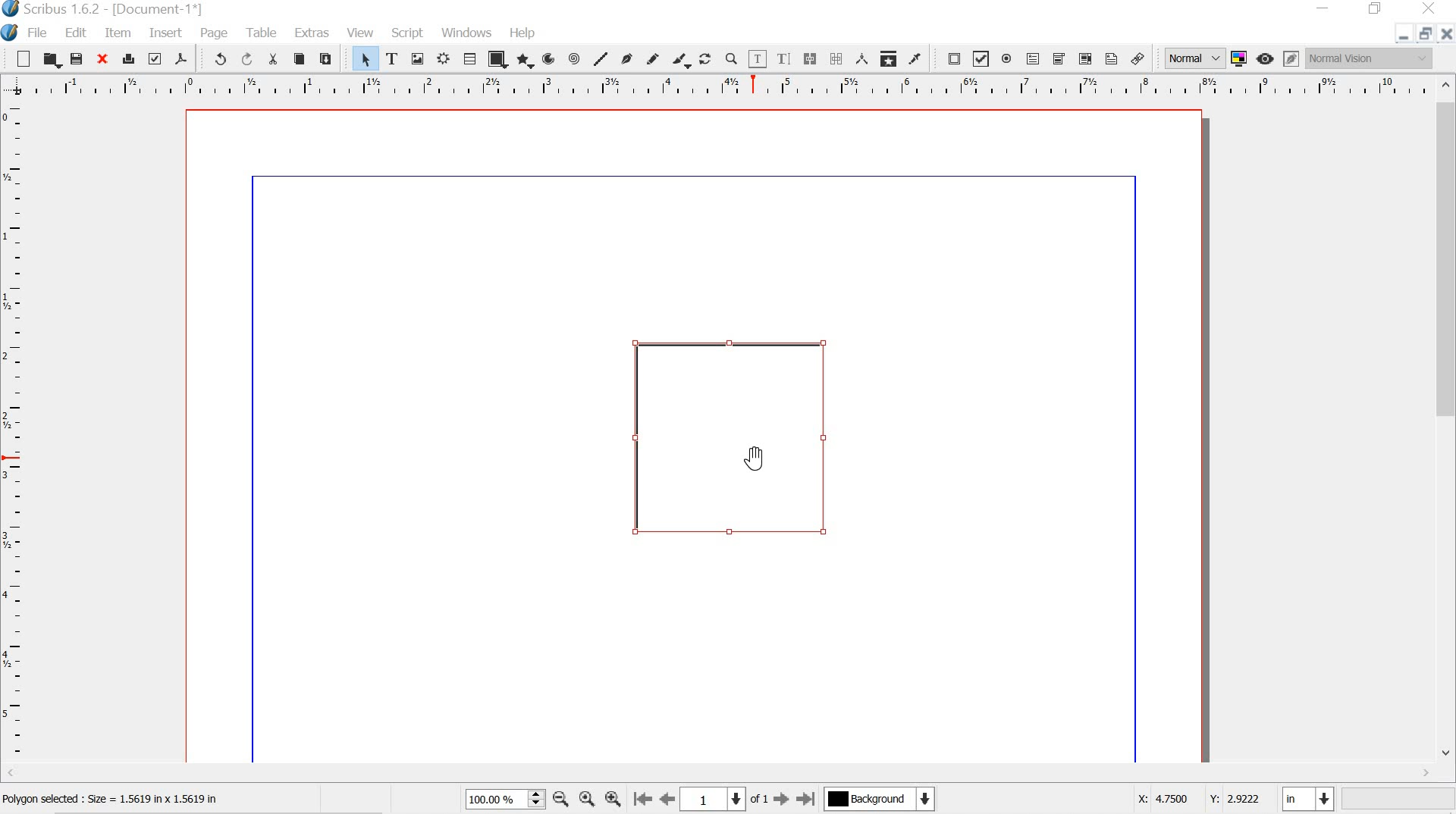 The width and height of the screenshot is (1456, 814). Describe the element at coordinates (40, 33) in the screenshot. I see `file` at that location.